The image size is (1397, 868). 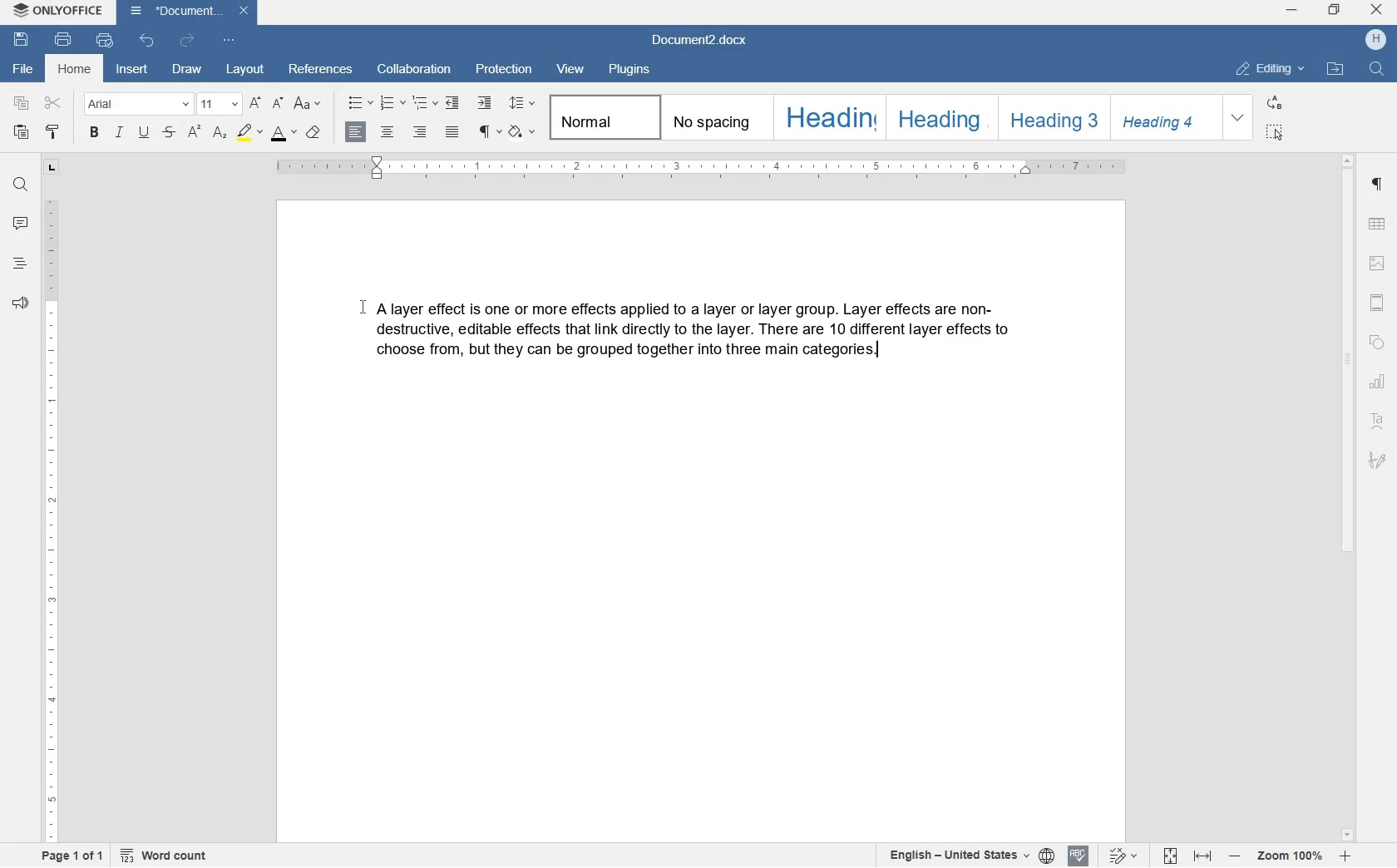 I want to click on plugins, so click(x=635, y=72).